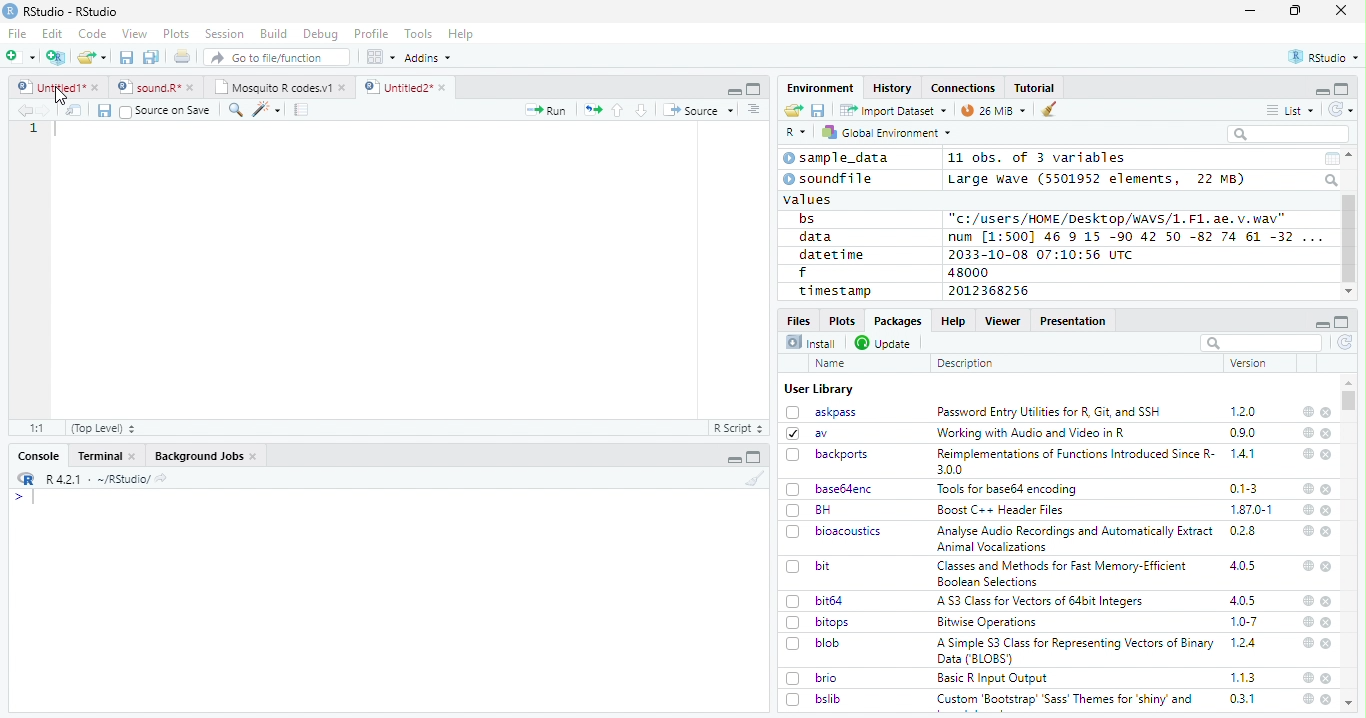 The height and width of the screenshot is (718, 1366). Describe the element at coordinates (992, 291) in the screenshot. I see `2012368256` at that location.